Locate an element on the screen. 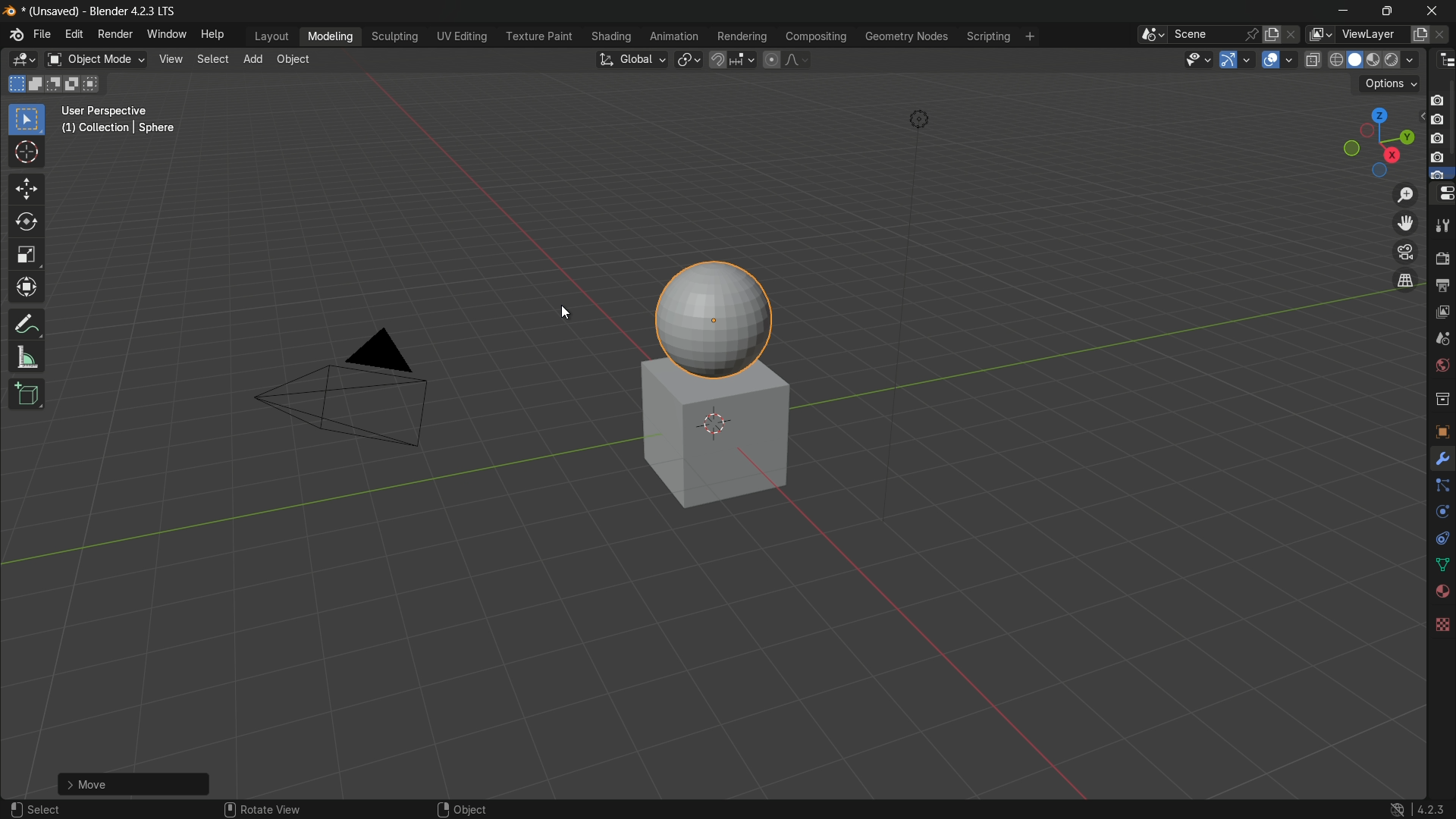 The image size is (1456, 819). extend existing selection is located at coordinates (37, 83).